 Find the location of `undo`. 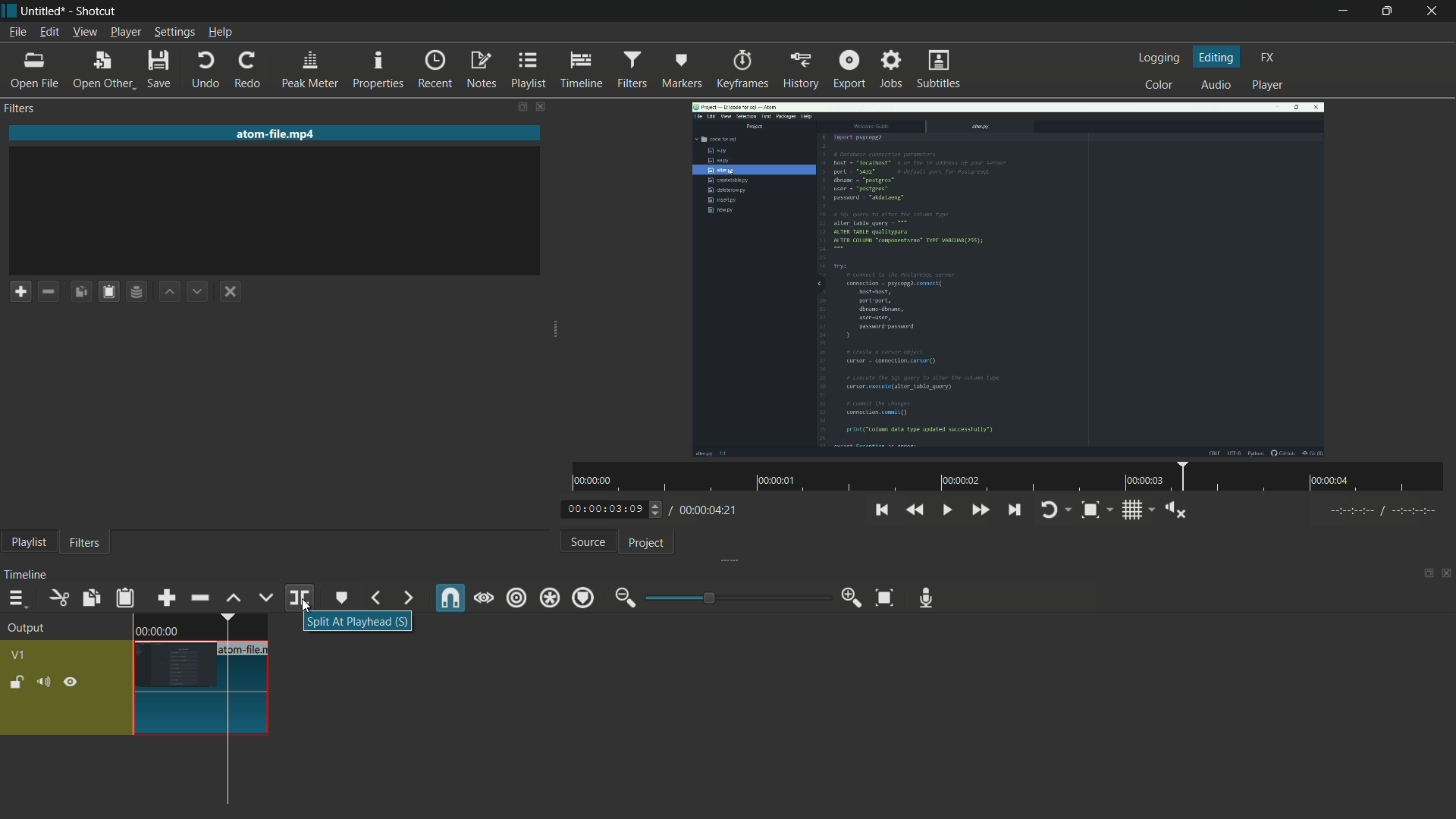

undo is located at coordinates (206, 69).